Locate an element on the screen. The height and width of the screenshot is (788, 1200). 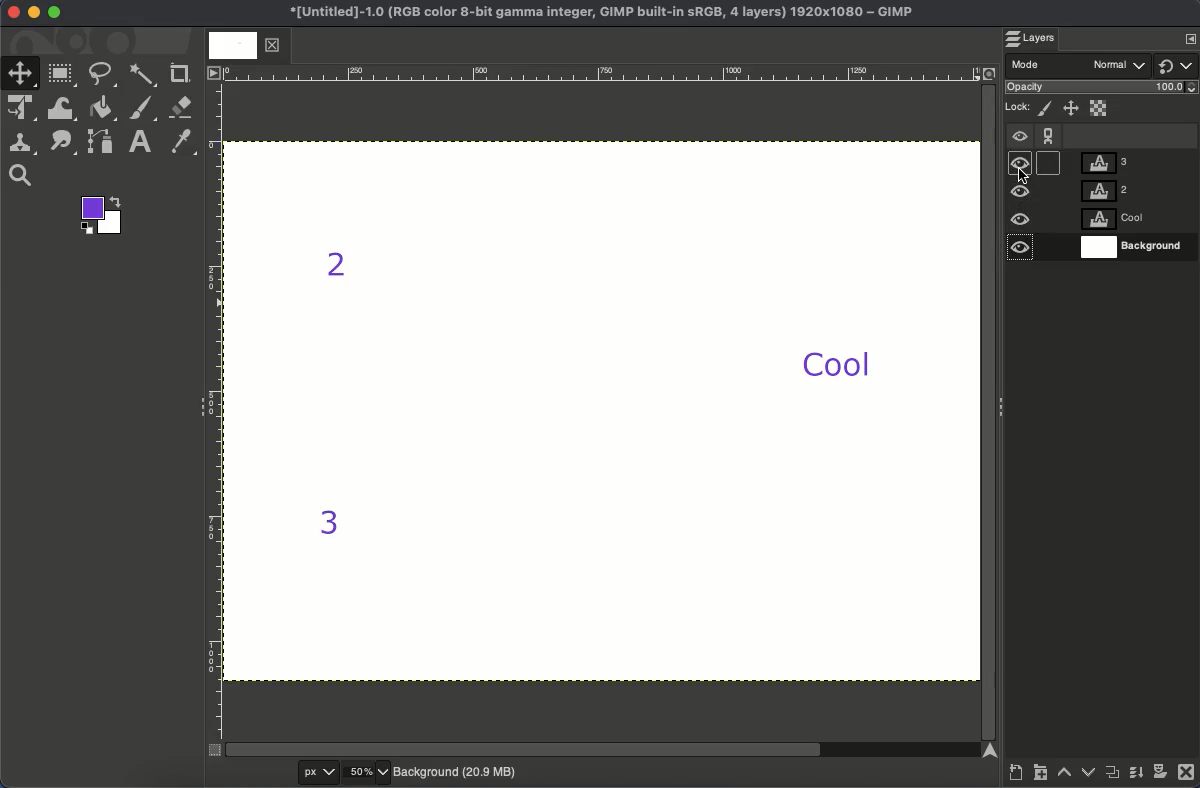
Create a new layer is located at coordinates (1015, 775).